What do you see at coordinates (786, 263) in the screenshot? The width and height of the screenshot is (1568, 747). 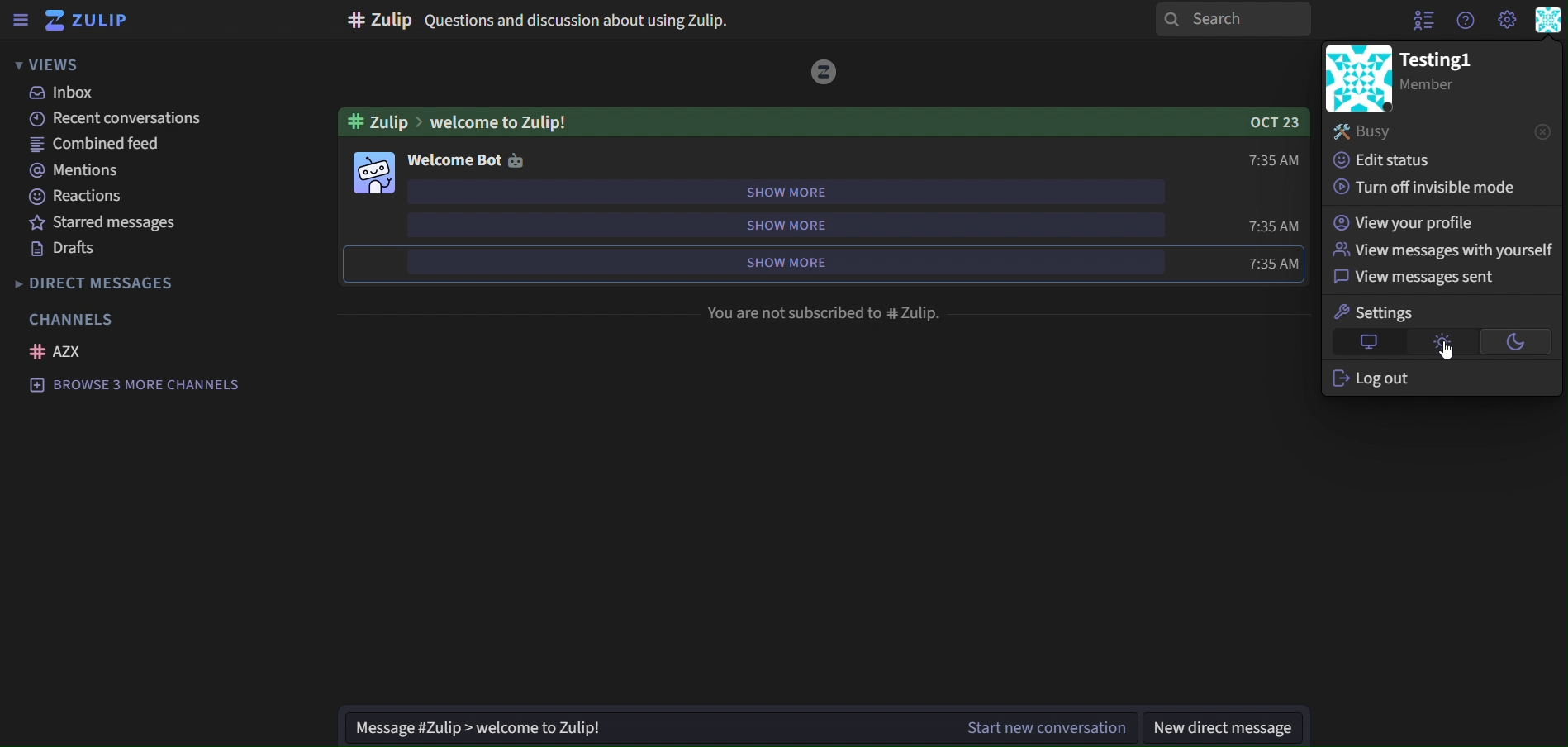 I see `show more` at bounding box center [786, 263].